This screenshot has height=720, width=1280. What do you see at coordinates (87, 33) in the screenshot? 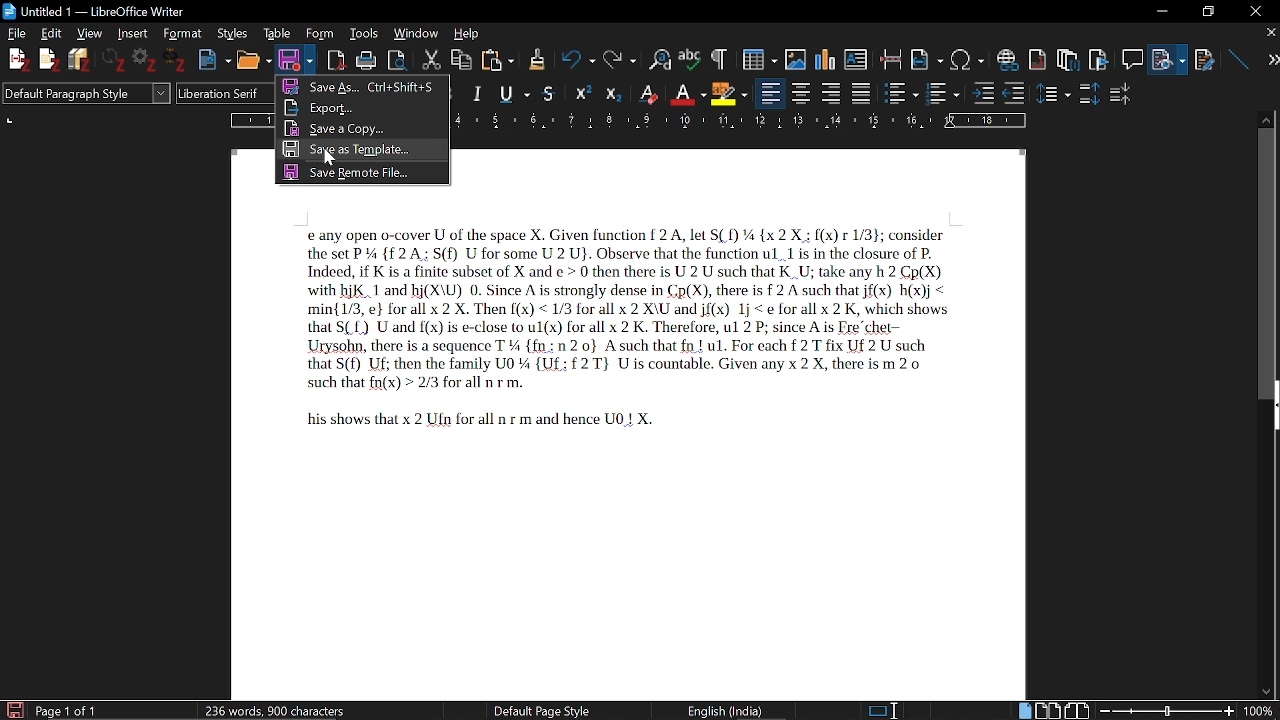
I see `View` at bounding box center [87, 33].